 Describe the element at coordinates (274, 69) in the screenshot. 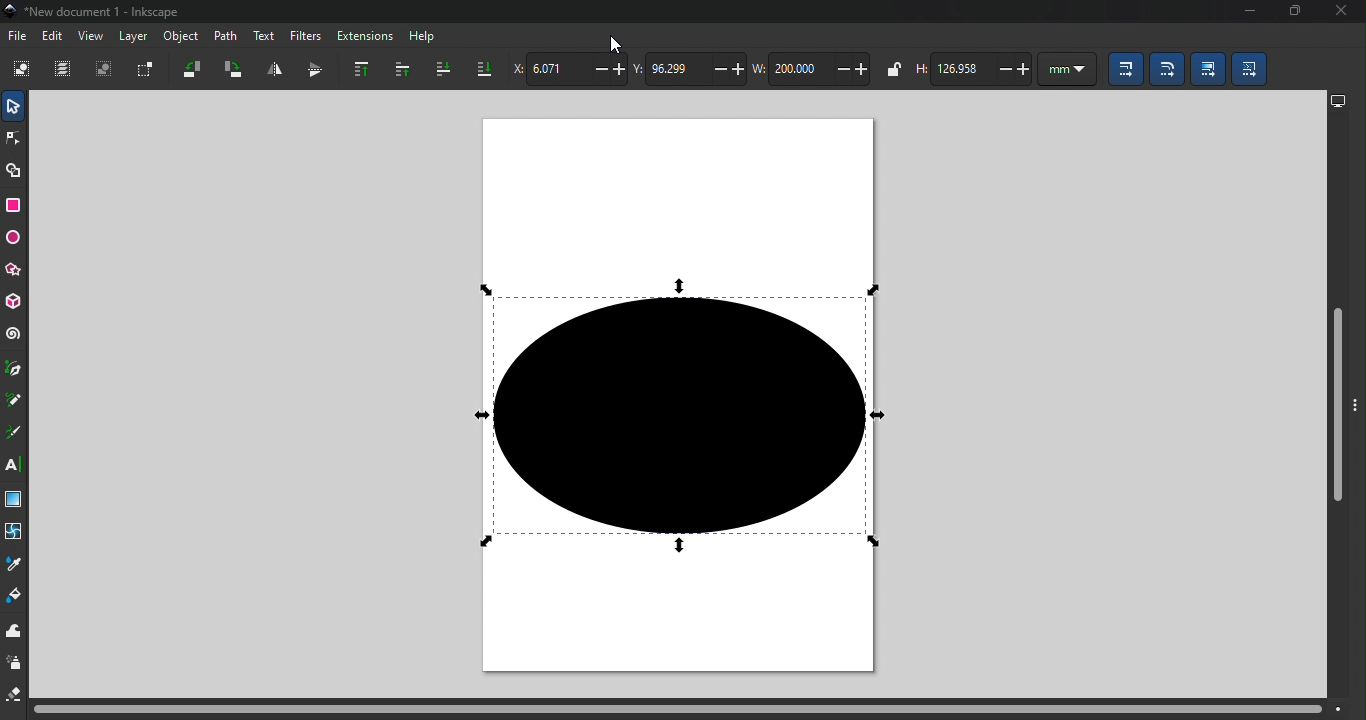

I see `Object flip horizontal` at that location.